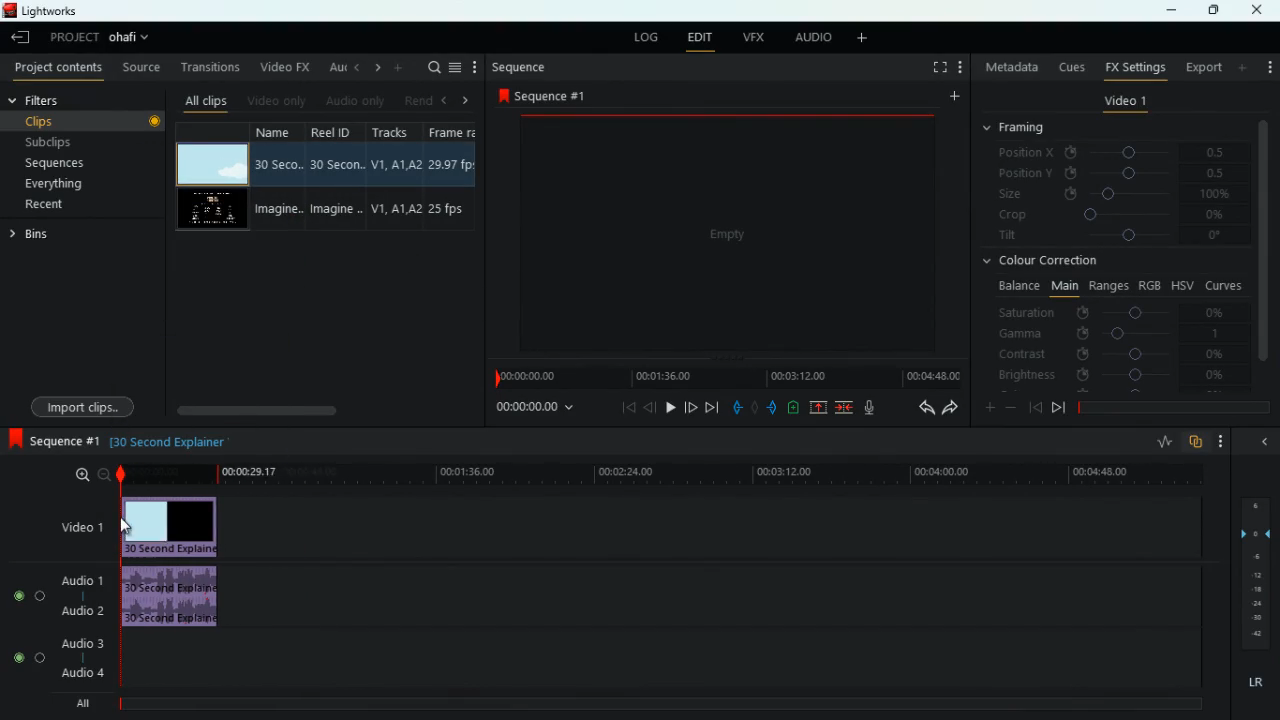  I want to click on position y, so click(1104, 174).